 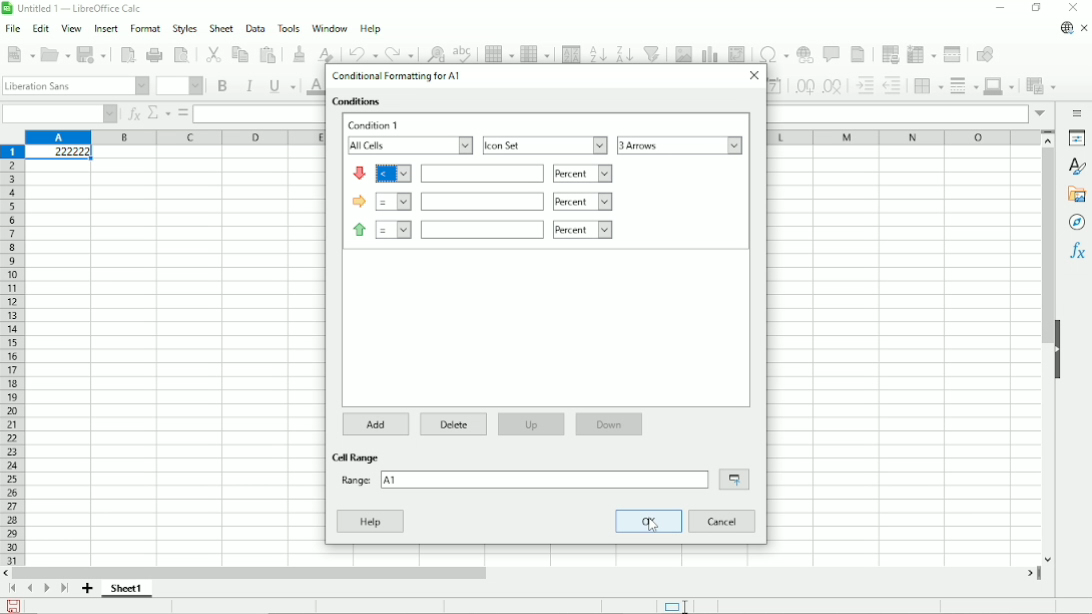 I want to click on All cells, so click(x=409, y=146).